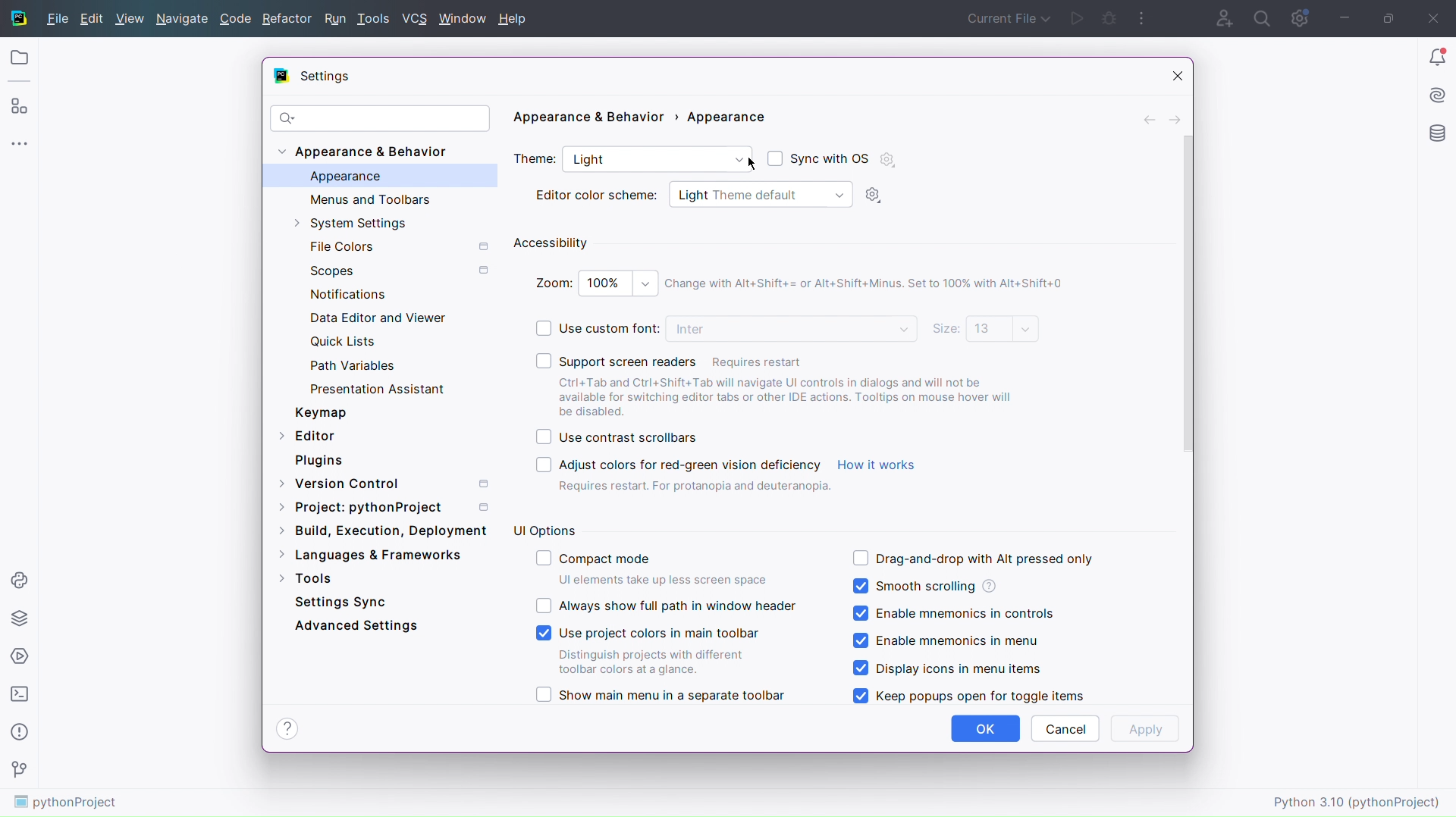 Image resolution: width=1456 pixels, height=817 pixels. What do you see at coordinates (365, 224) in the screenshot?
I see `System Settings` at bounding box center [365, 224].